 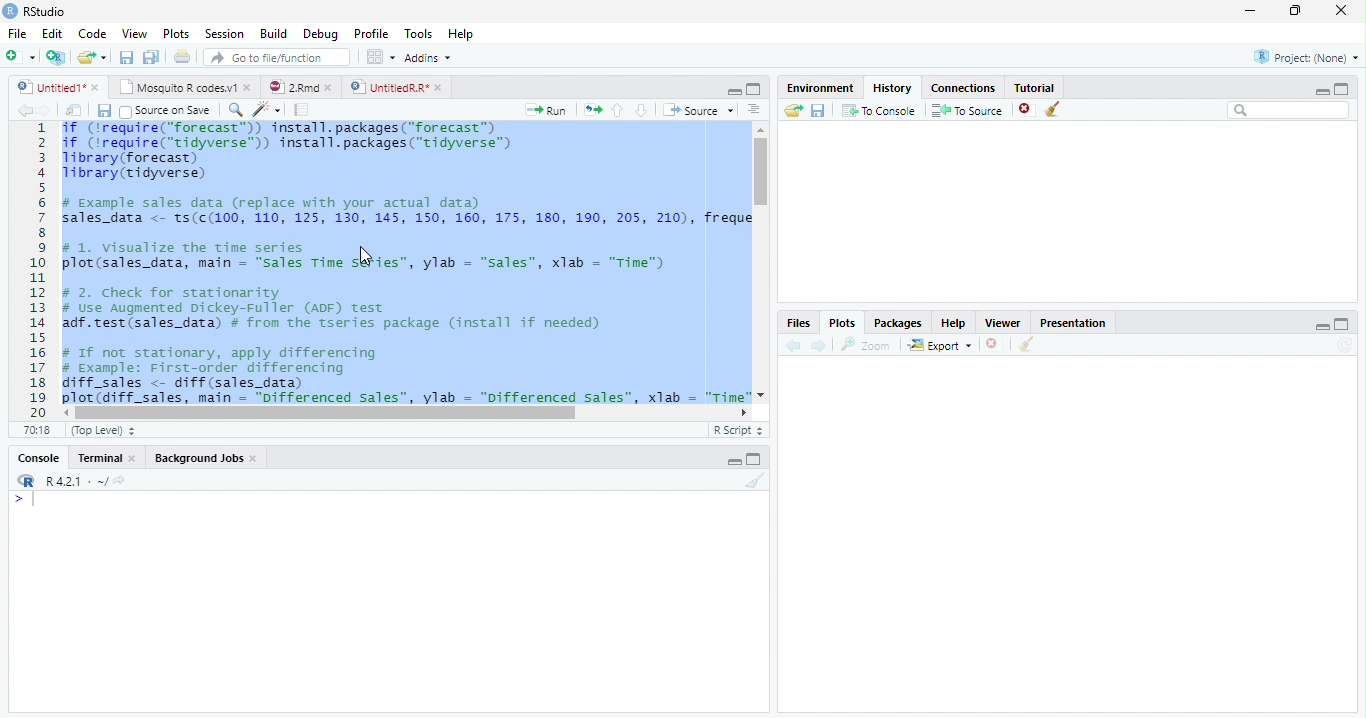 What do you see at coordinates (372, 35) in the screenshot?
I see `Profile` at bounding box center [372, 35].